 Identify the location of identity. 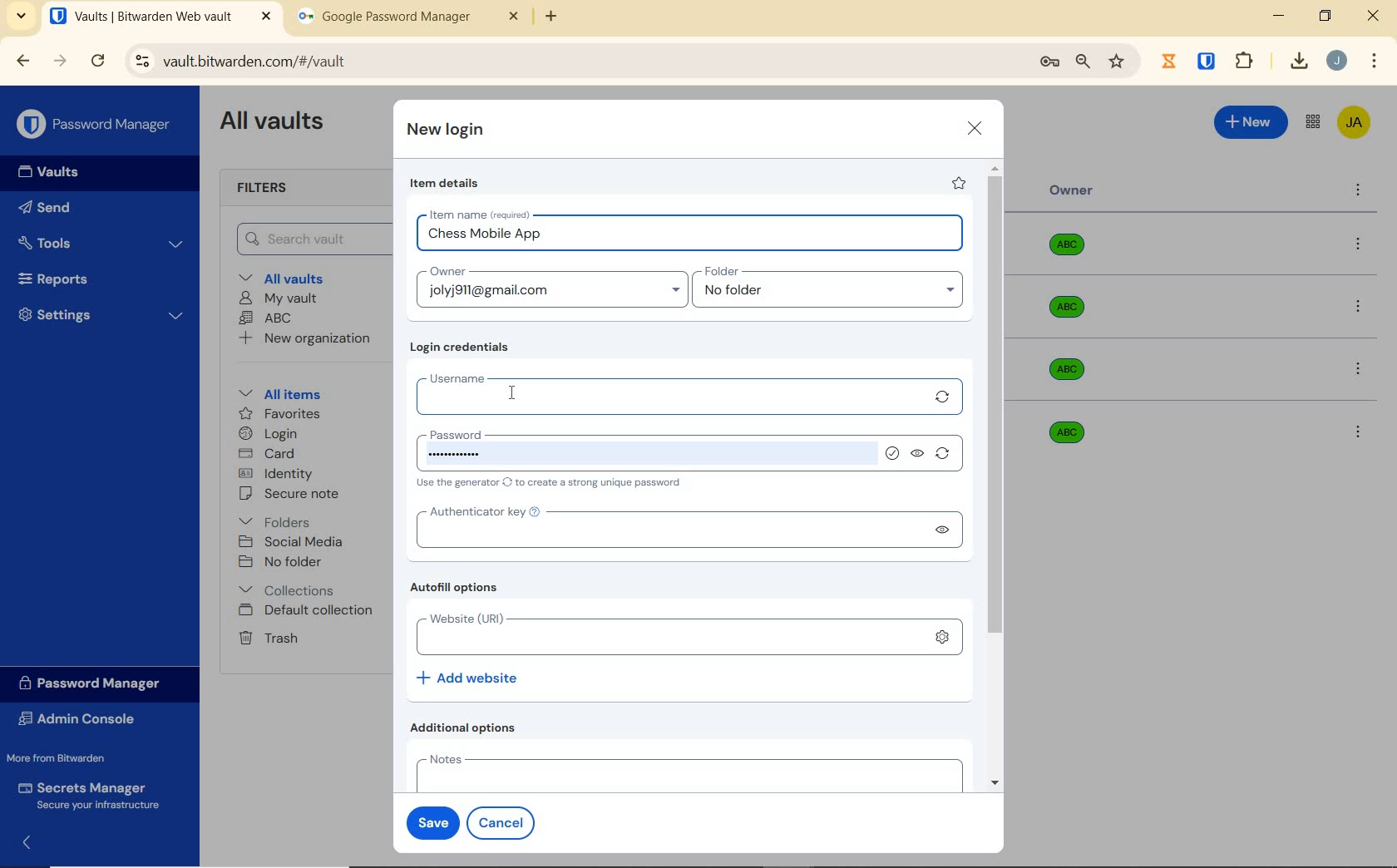
(276, 474).